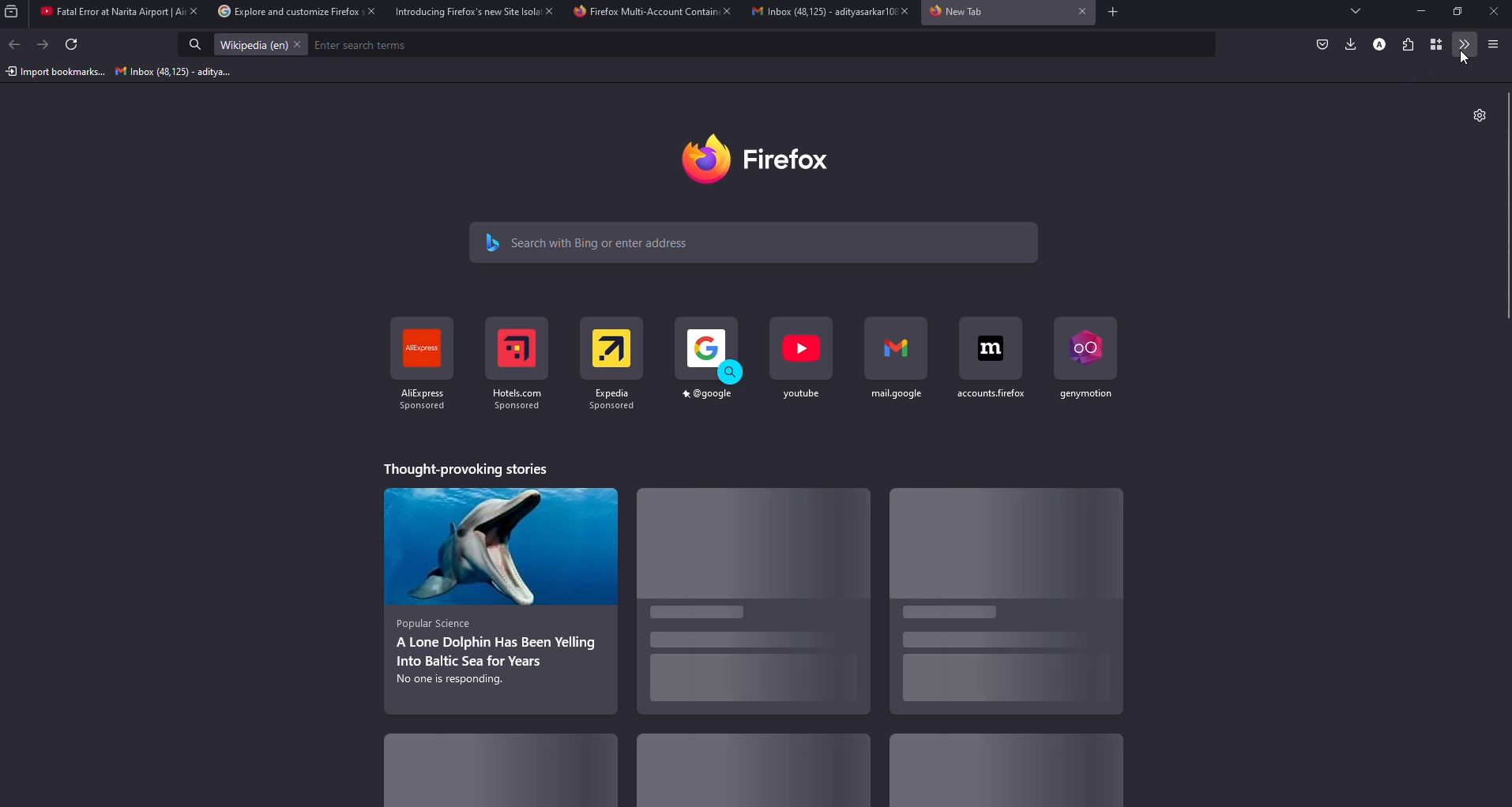 The image size is (1512, 807). Describe the element at coordinates (365, 45) in the screenshot. I see `enter search` at that location.